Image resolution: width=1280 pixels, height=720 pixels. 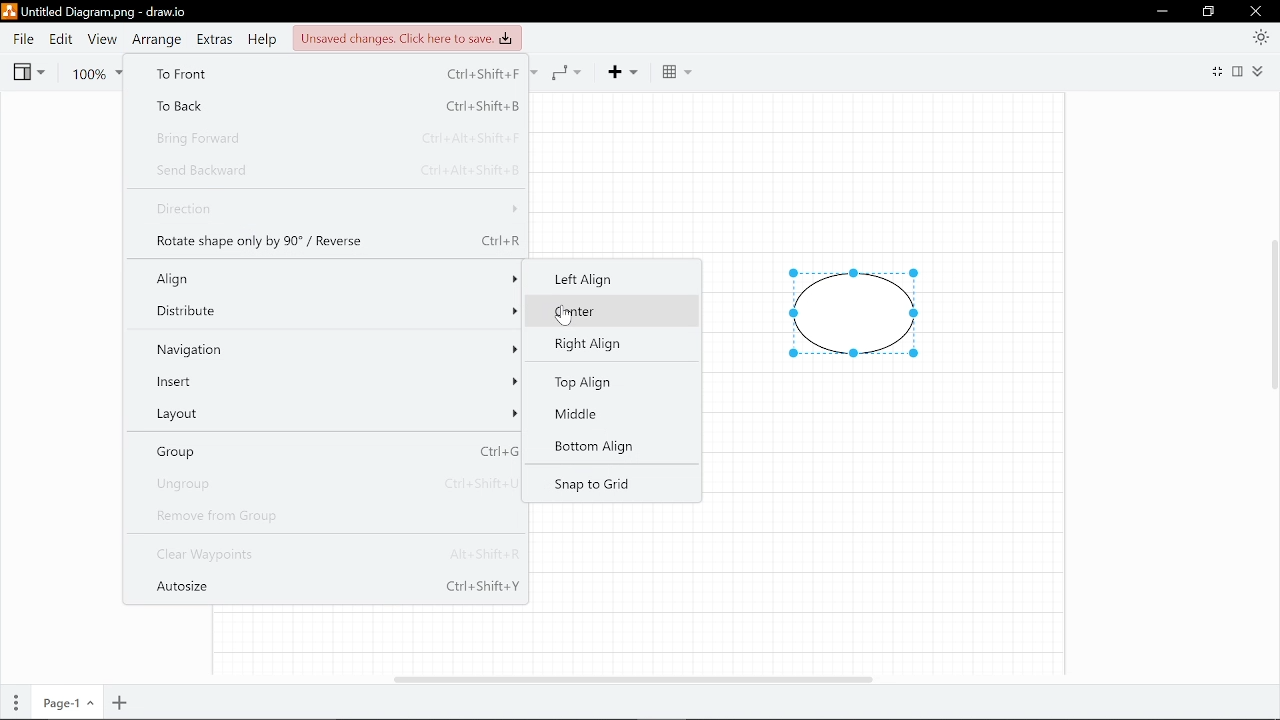 What do you see at coordinates (14, 704) in the screenshot?
I see `Pages` at bounding box center [14, 704].